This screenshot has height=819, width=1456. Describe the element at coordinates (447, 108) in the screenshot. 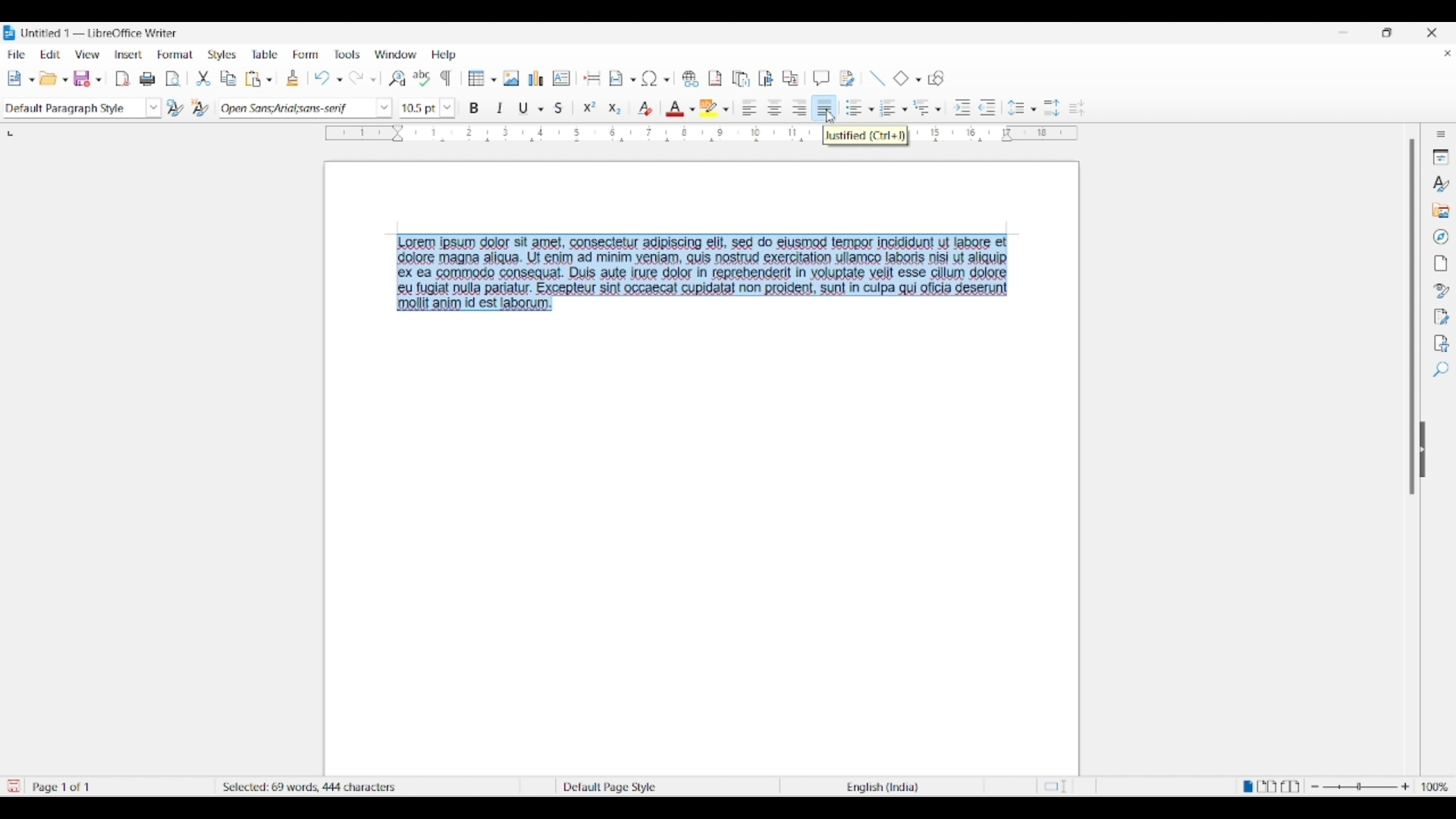

I see `Increase/Decrease font size` at that location.